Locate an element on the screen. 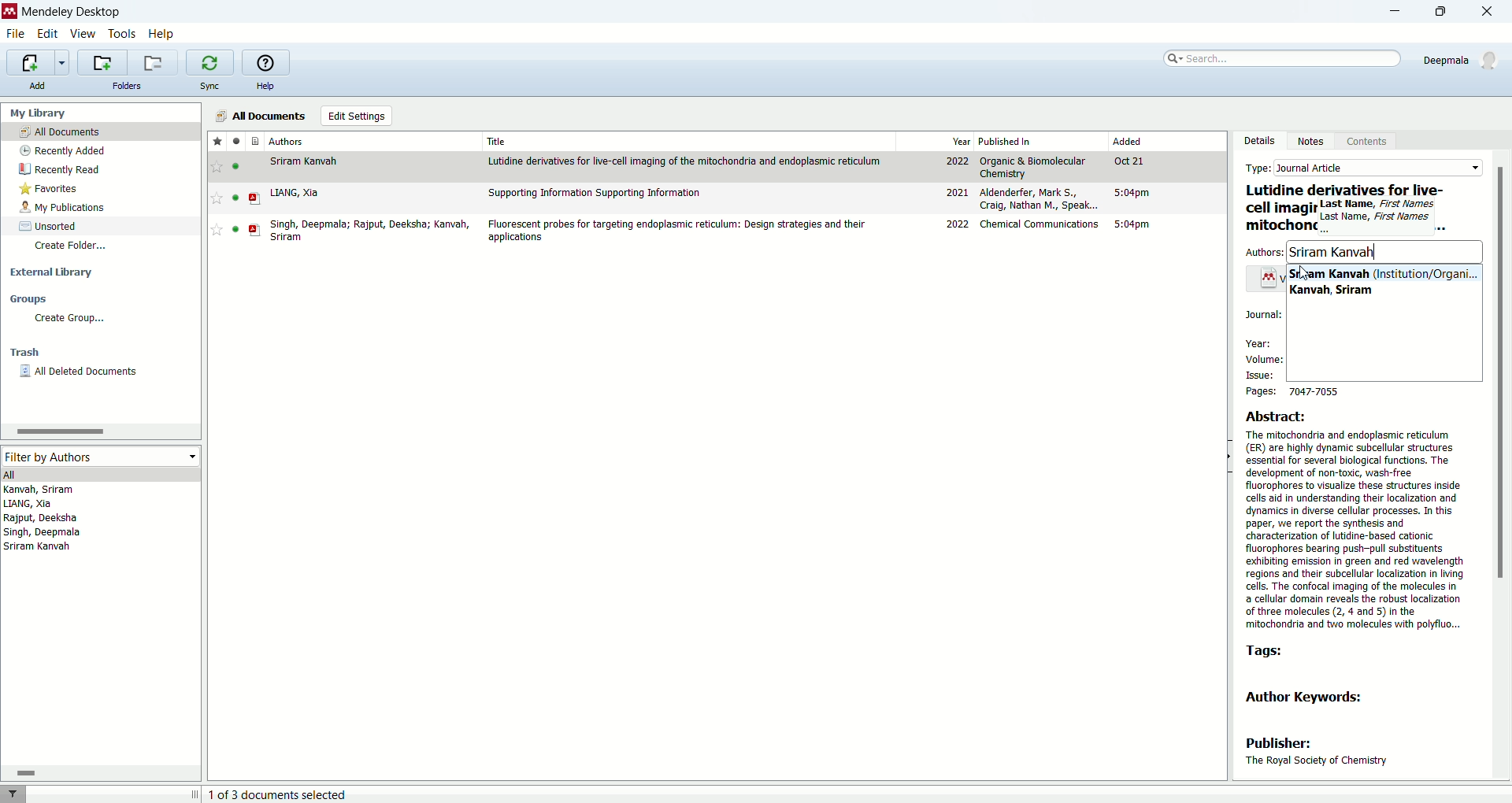 This screenshot has width=1512, height=803. favourite is located at coordinates (217, 167).